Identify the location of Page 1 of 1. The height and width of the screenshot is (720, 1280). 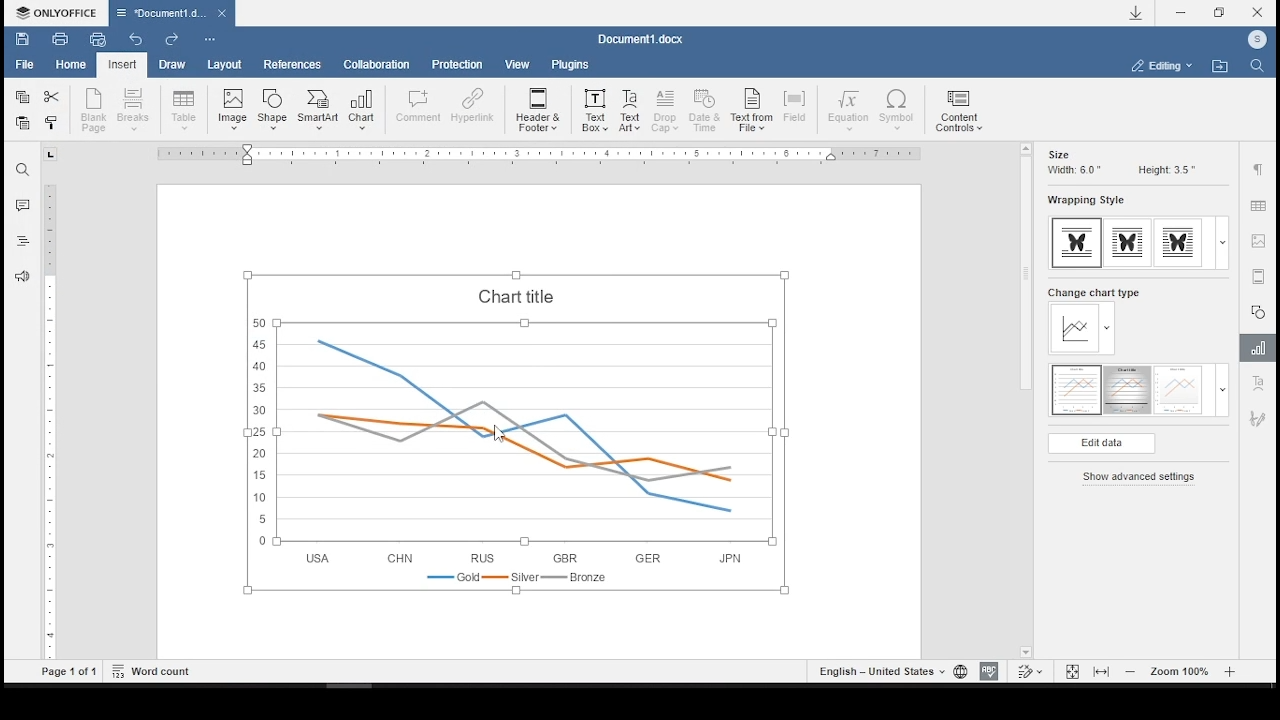
(69, 672).